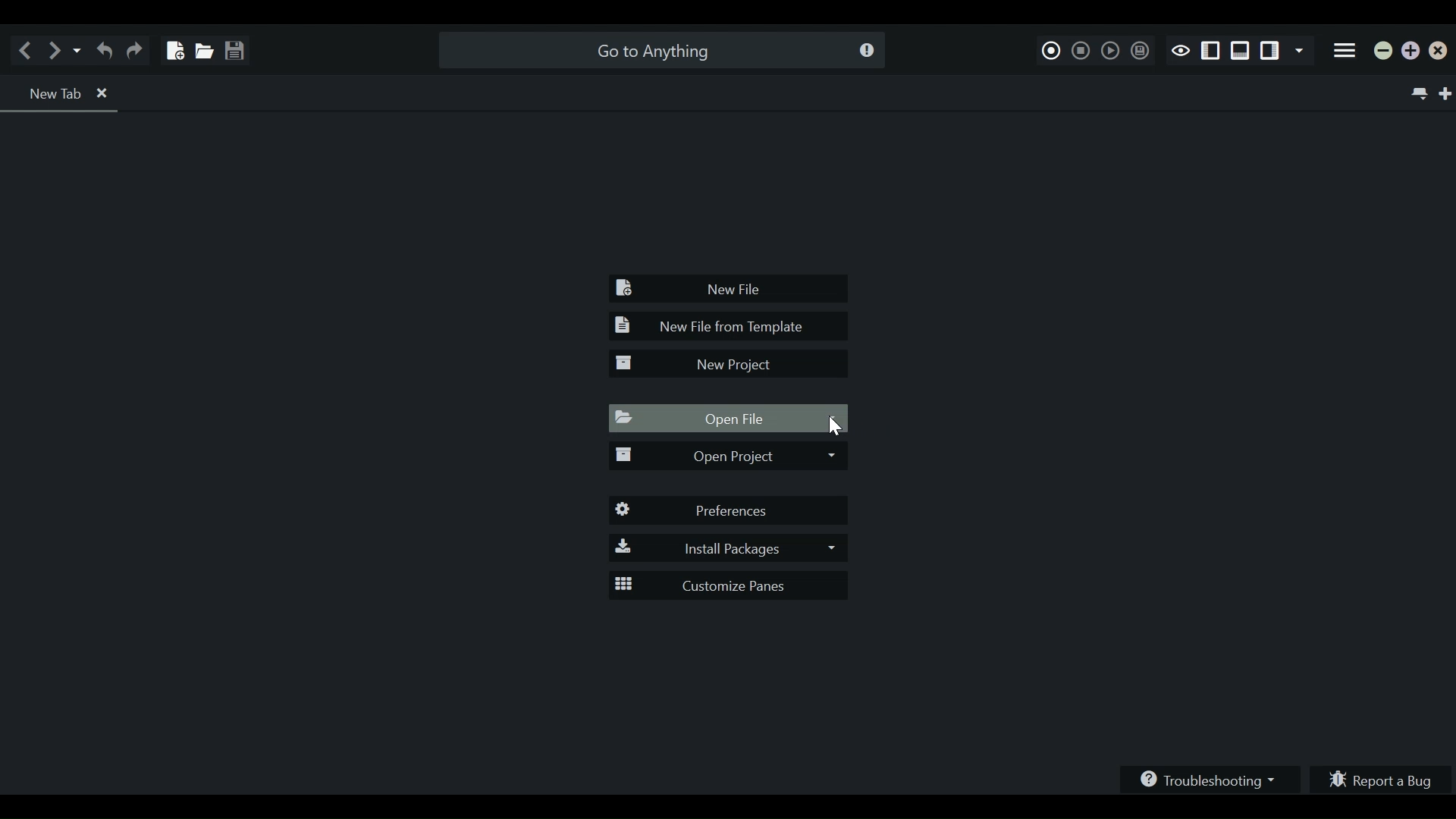 This screenshot has height=819, width=1456. Describe the element at coordinates (1211, 52) in the screenshot. I see `Show/Hide Right Pane` at that location.